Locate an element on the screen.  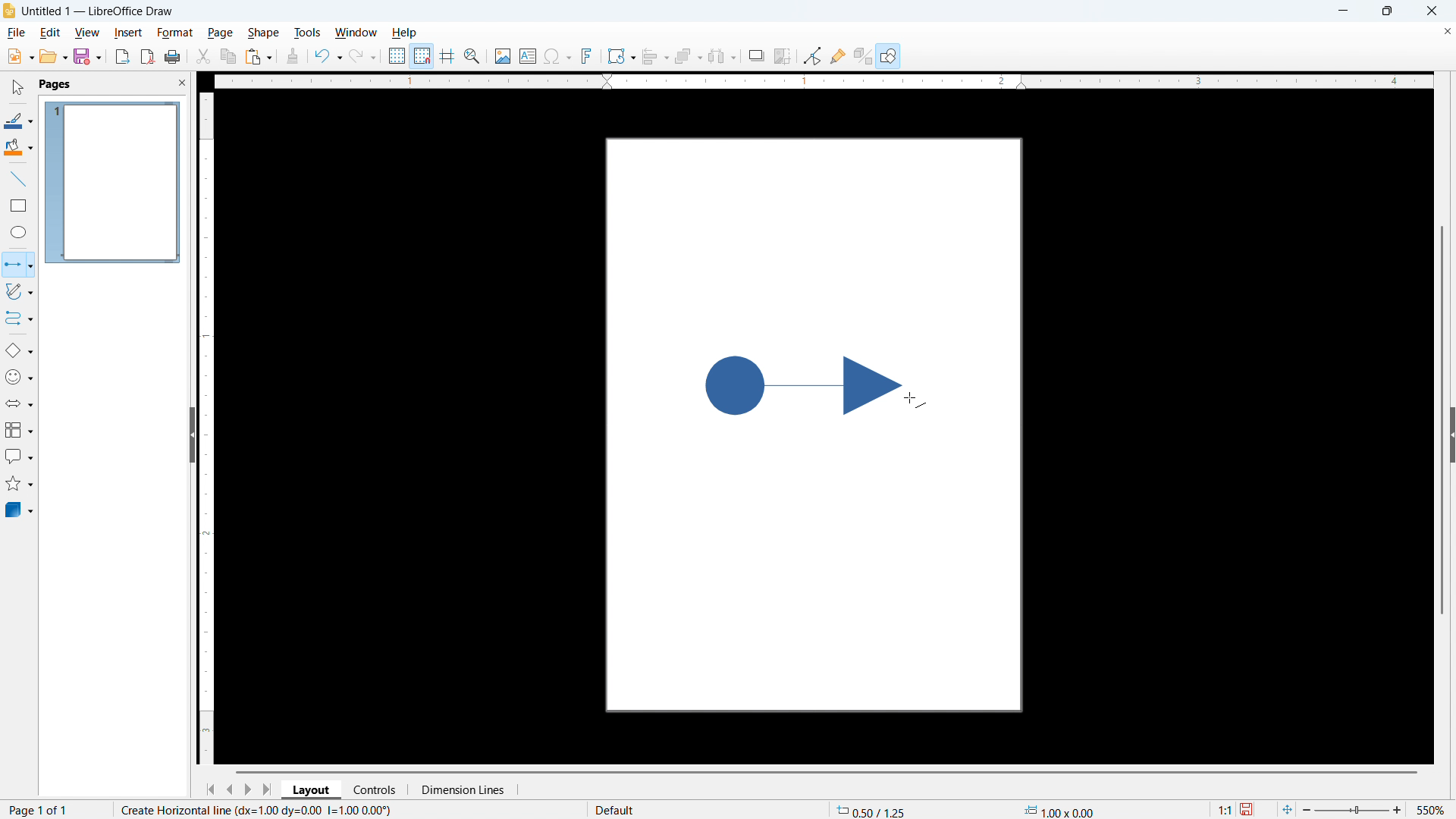
align  is located at coordinates (656, 57).